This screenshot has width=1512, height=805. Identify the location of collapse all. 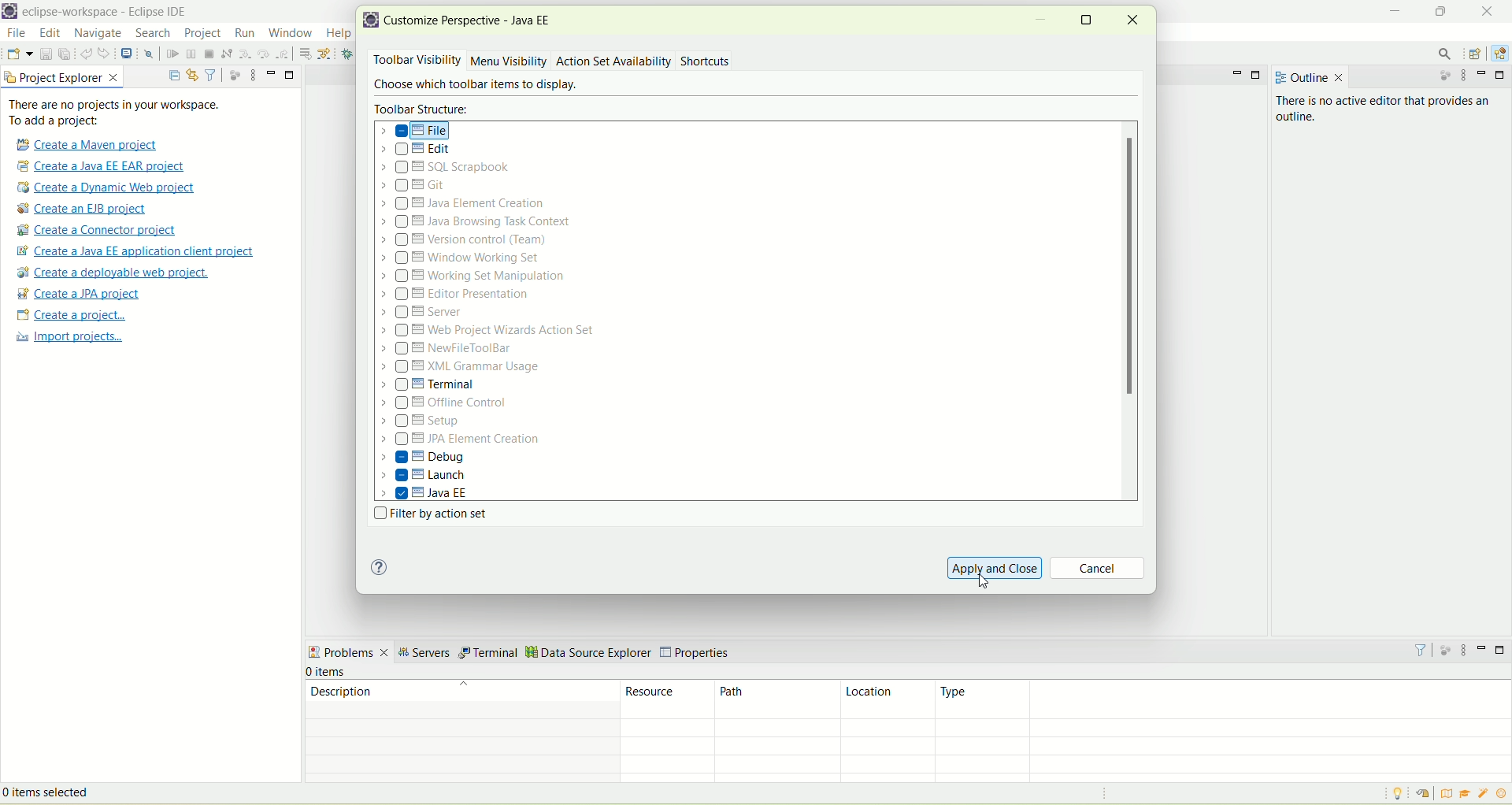
(174, 72).